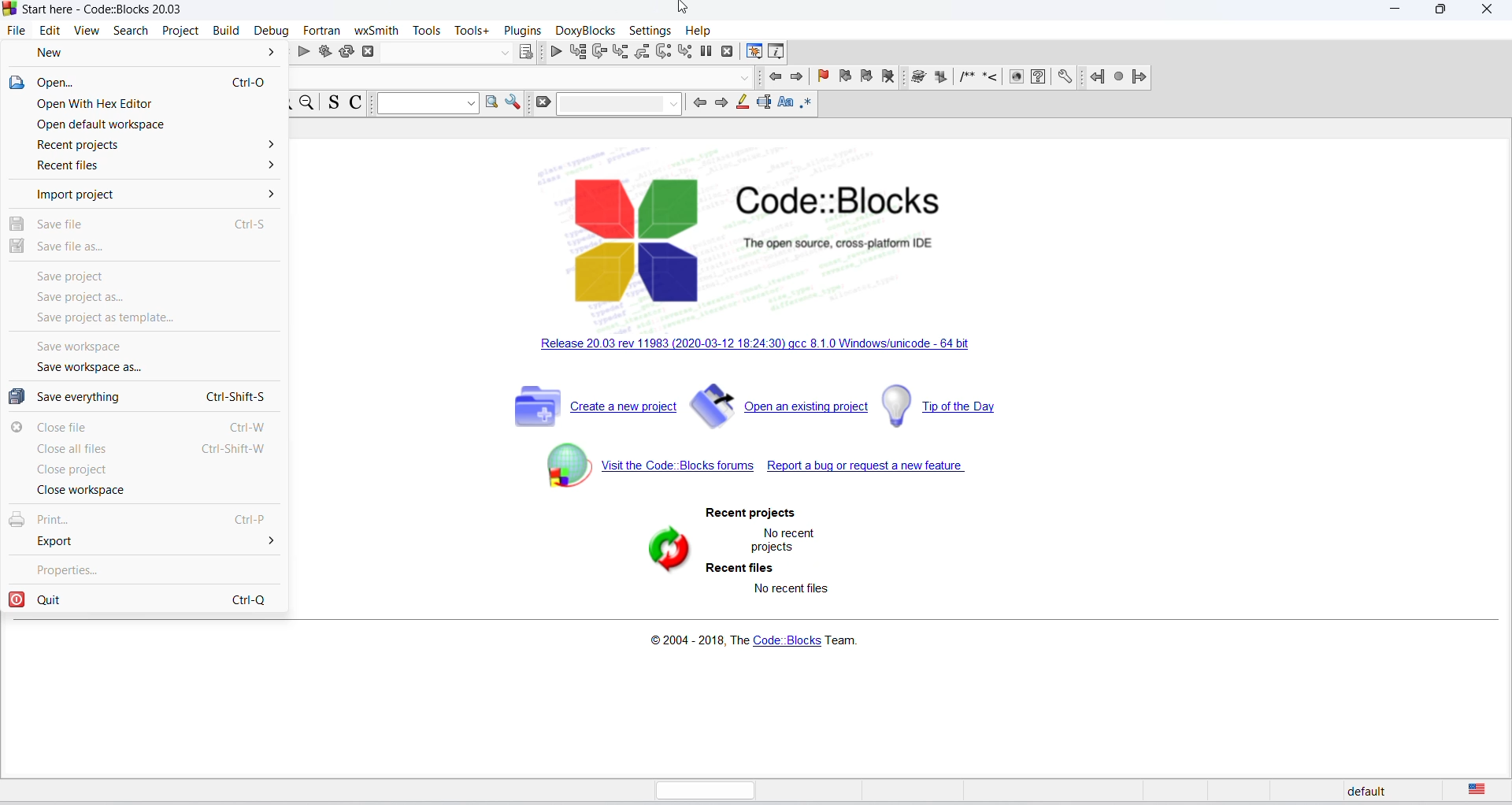 This screenshot has height=805, width=1512. Describe the element at coordinates (754, 51) in the screenshot. I see `debugging window` at that location.